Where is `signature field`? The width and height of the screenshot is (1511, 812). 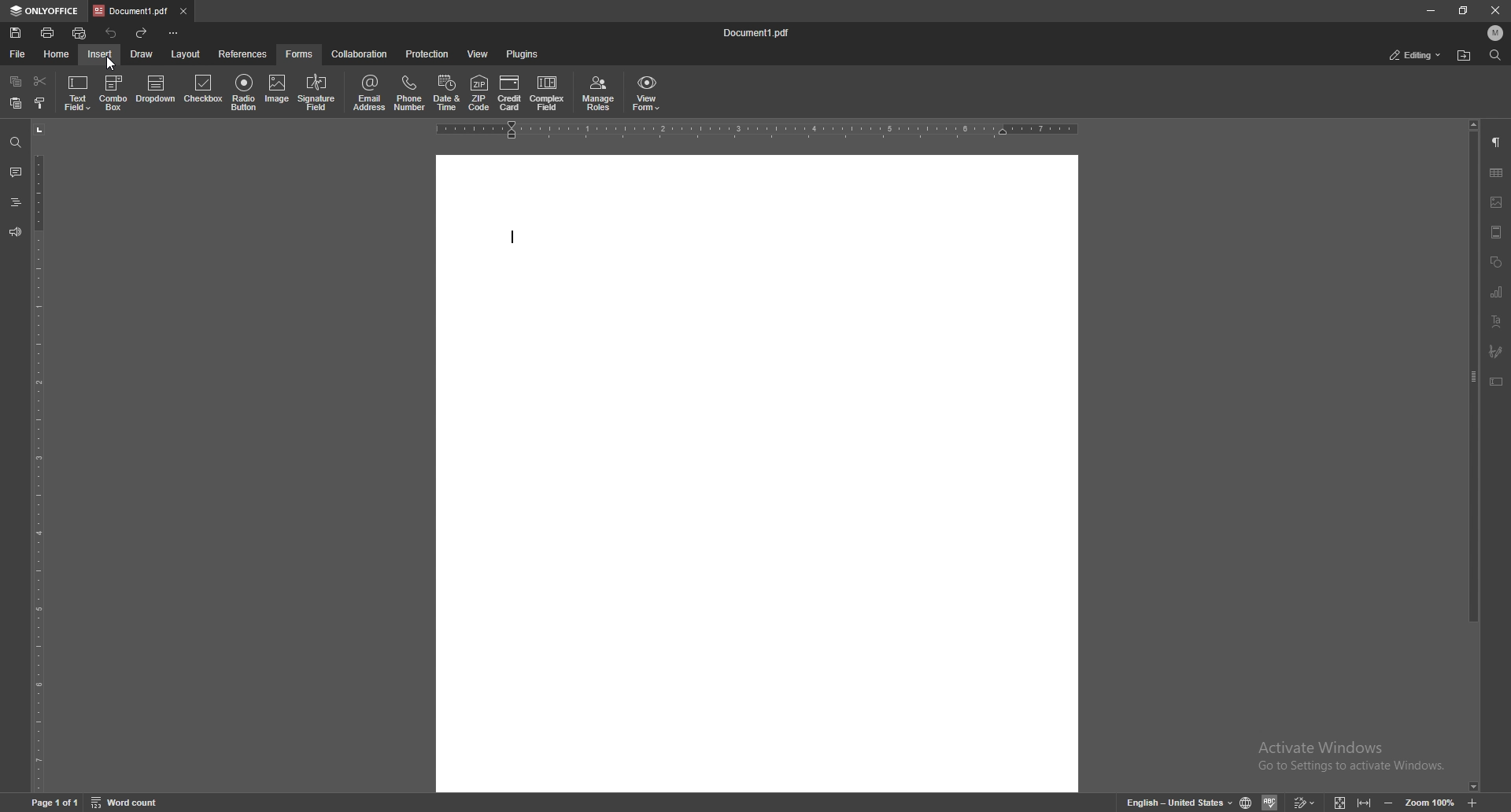 signature field is located at coordinates (317, 94).